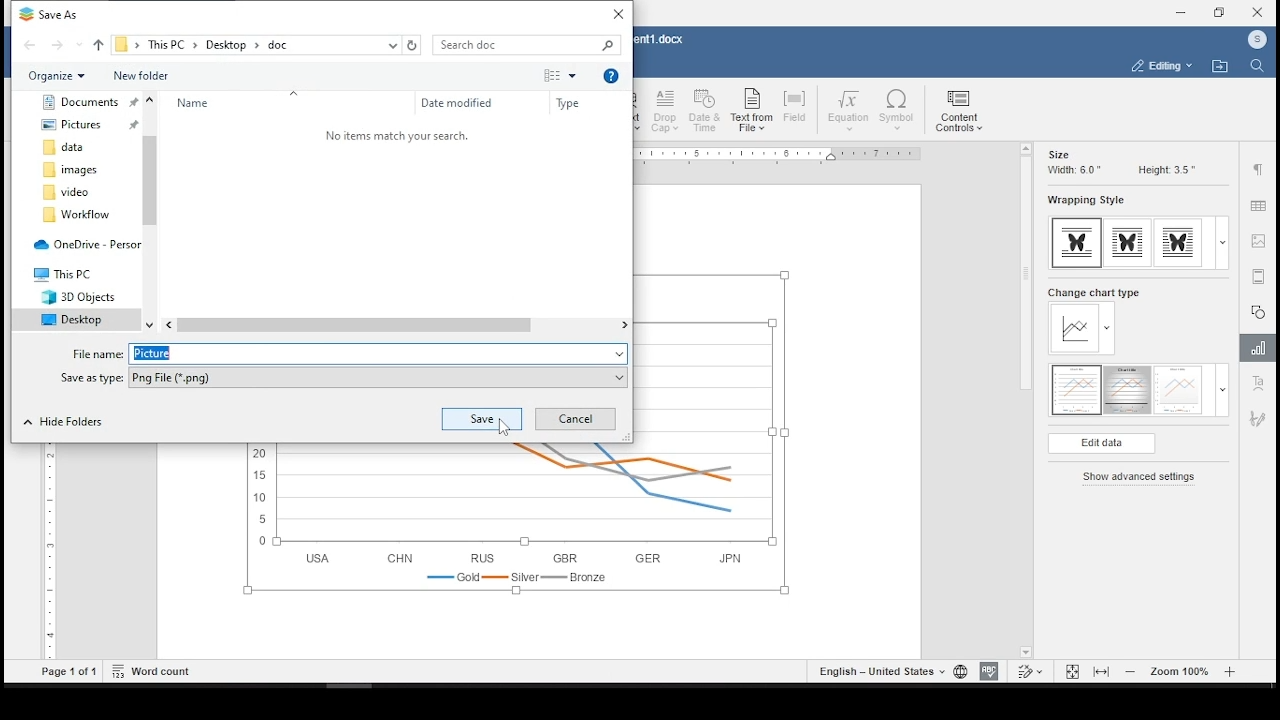 Image resolution: width=1280 pixels, height=720 pixels. Describe the element at coordinates (1258, 11) in the screenshot. I see `close window` at that location.